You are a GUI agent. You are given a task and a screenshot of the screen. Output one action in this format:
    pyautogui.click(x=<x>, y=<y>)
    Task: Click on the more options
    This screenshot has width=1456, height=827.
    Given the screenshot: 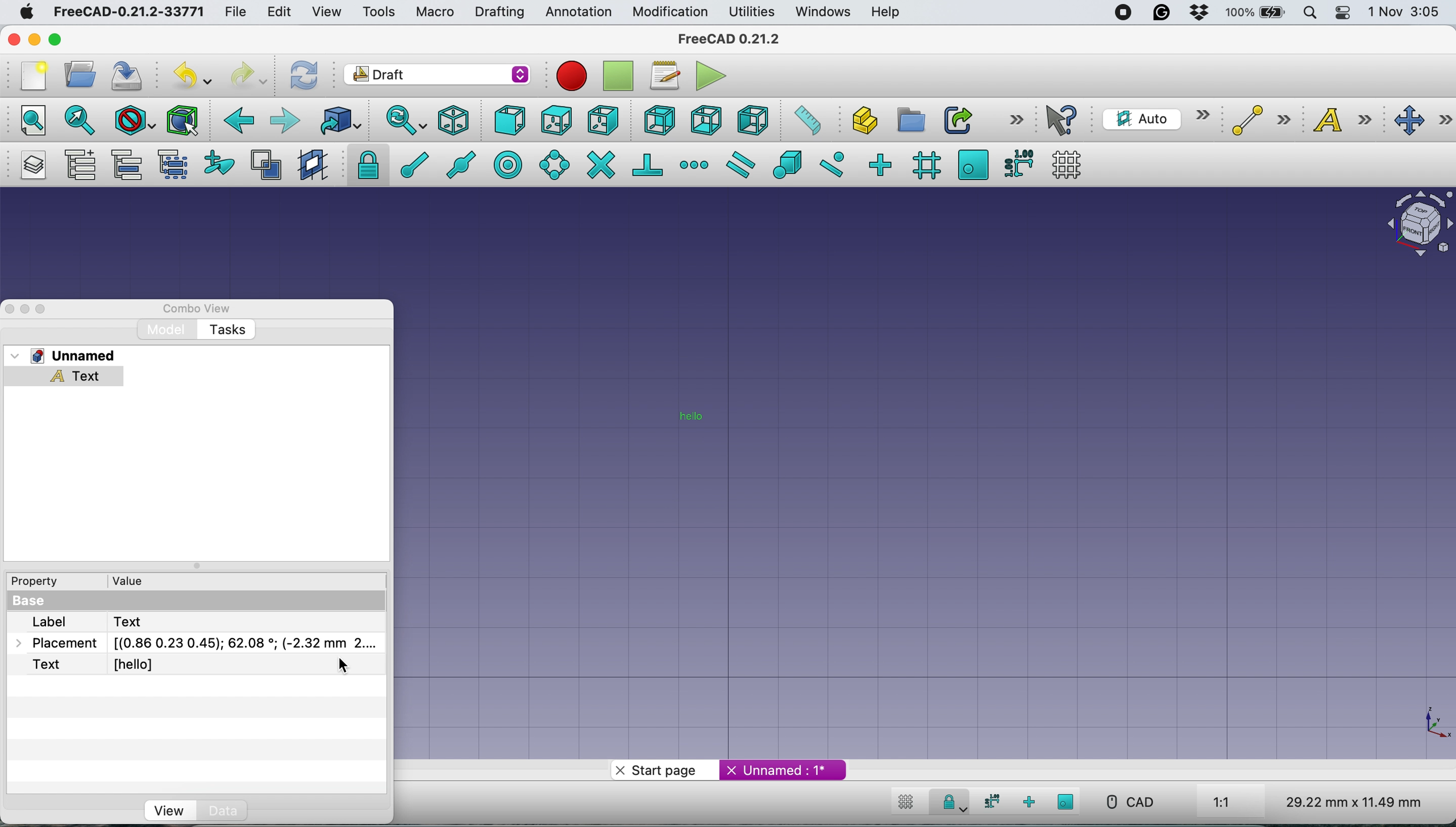 What is the action you would take?
    pyautogui.click(x=1018, y=119)
    